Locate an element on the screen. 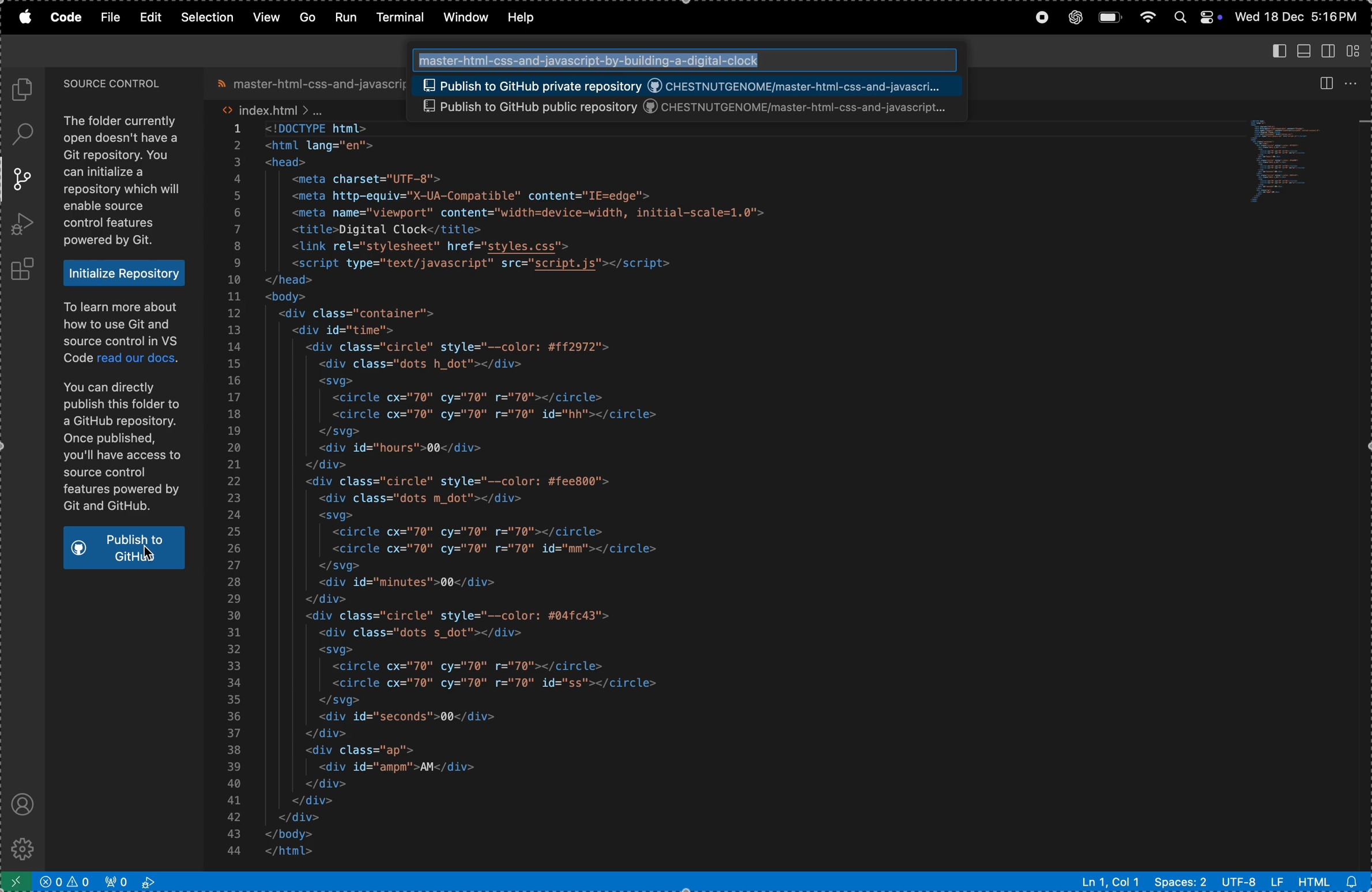  split editor is located at coordinates (1325, 82).